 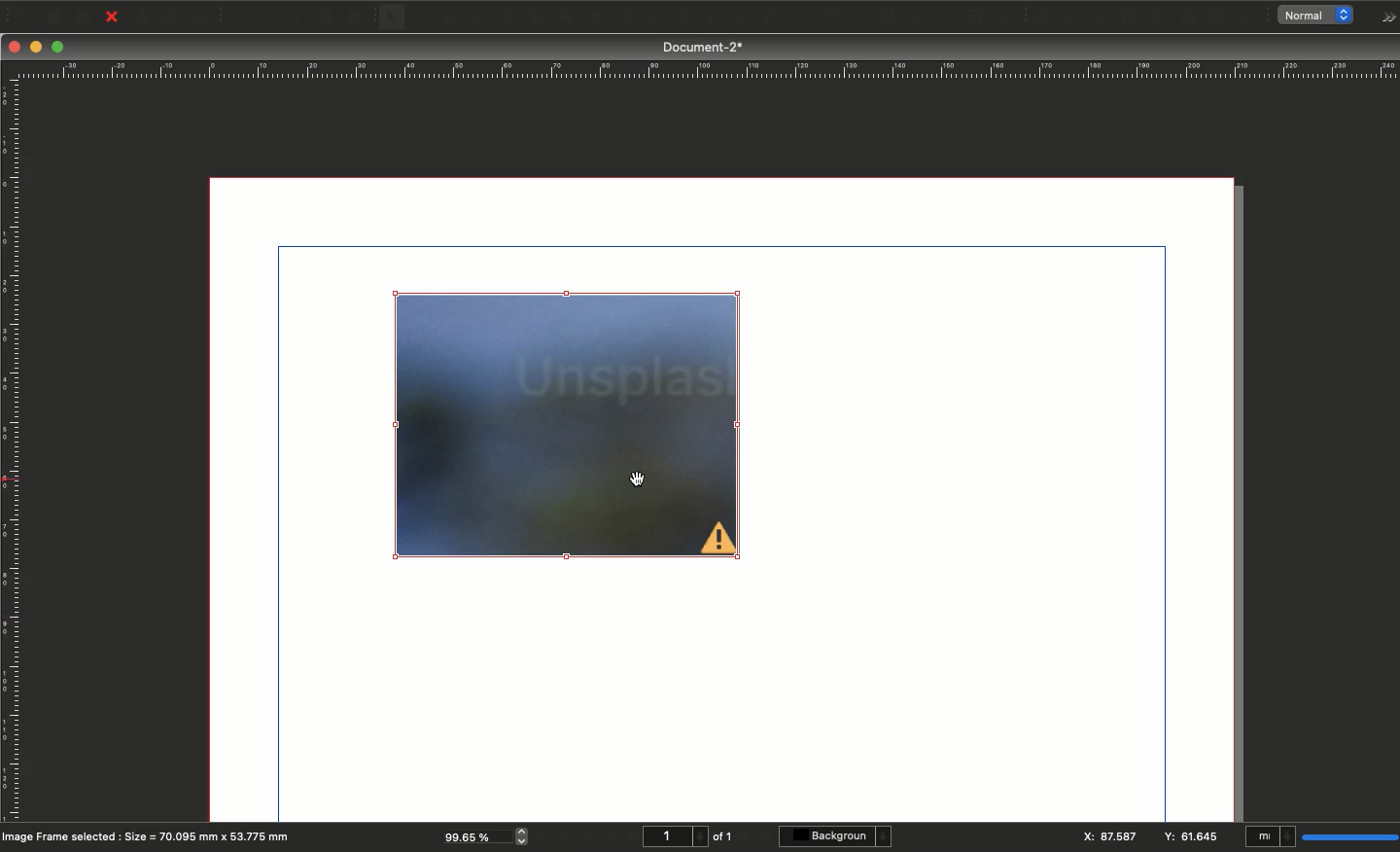 What do you see at coordinates (941, 18) in the screenshot?
I see `Measurements` at bounding box center [941, 18].